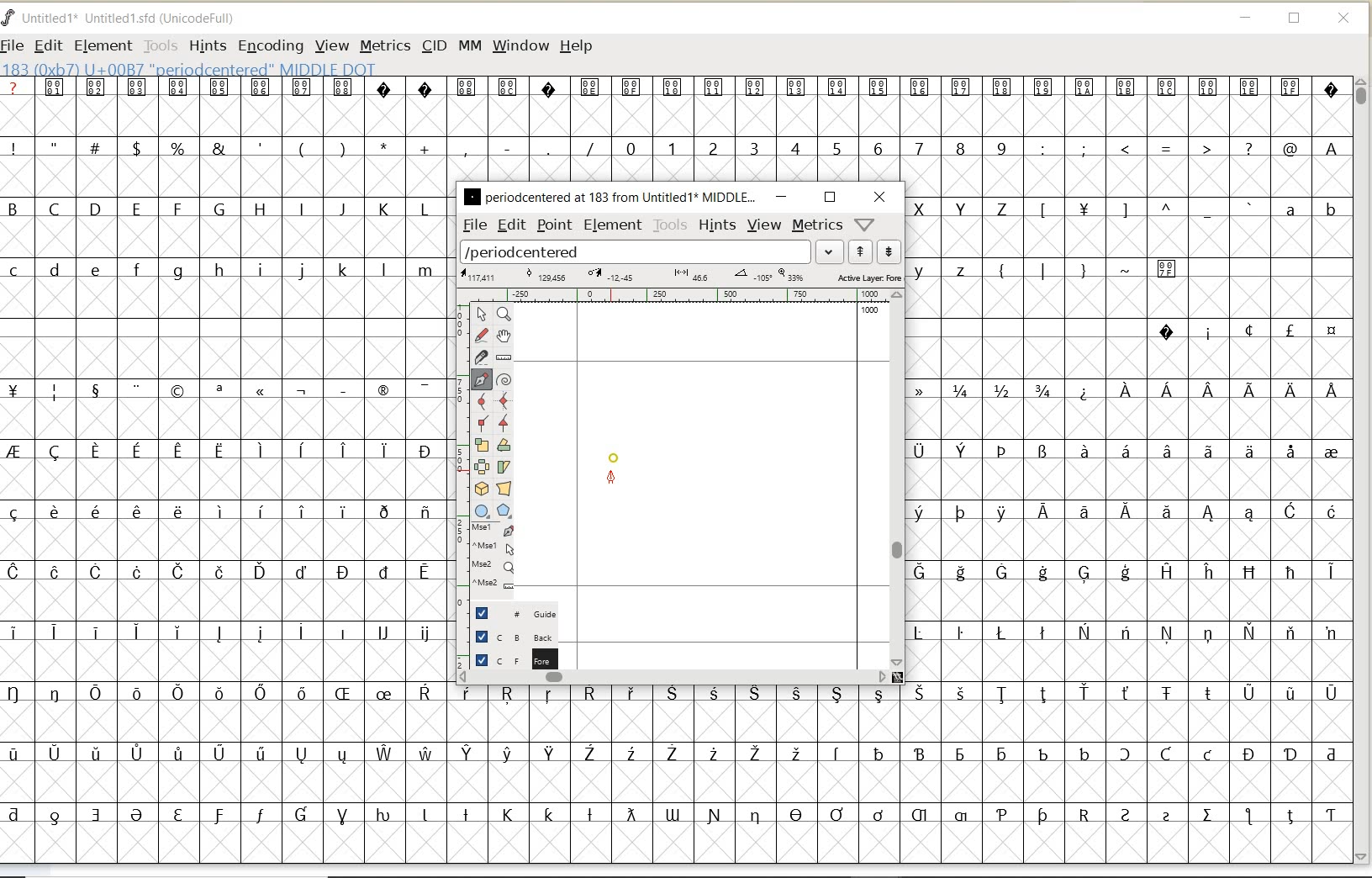 Image resolution: width=1372 pixels, height=878 pixels. Describe the element at coordinates (554, 226) in the screenshot. I see `point` at that location.